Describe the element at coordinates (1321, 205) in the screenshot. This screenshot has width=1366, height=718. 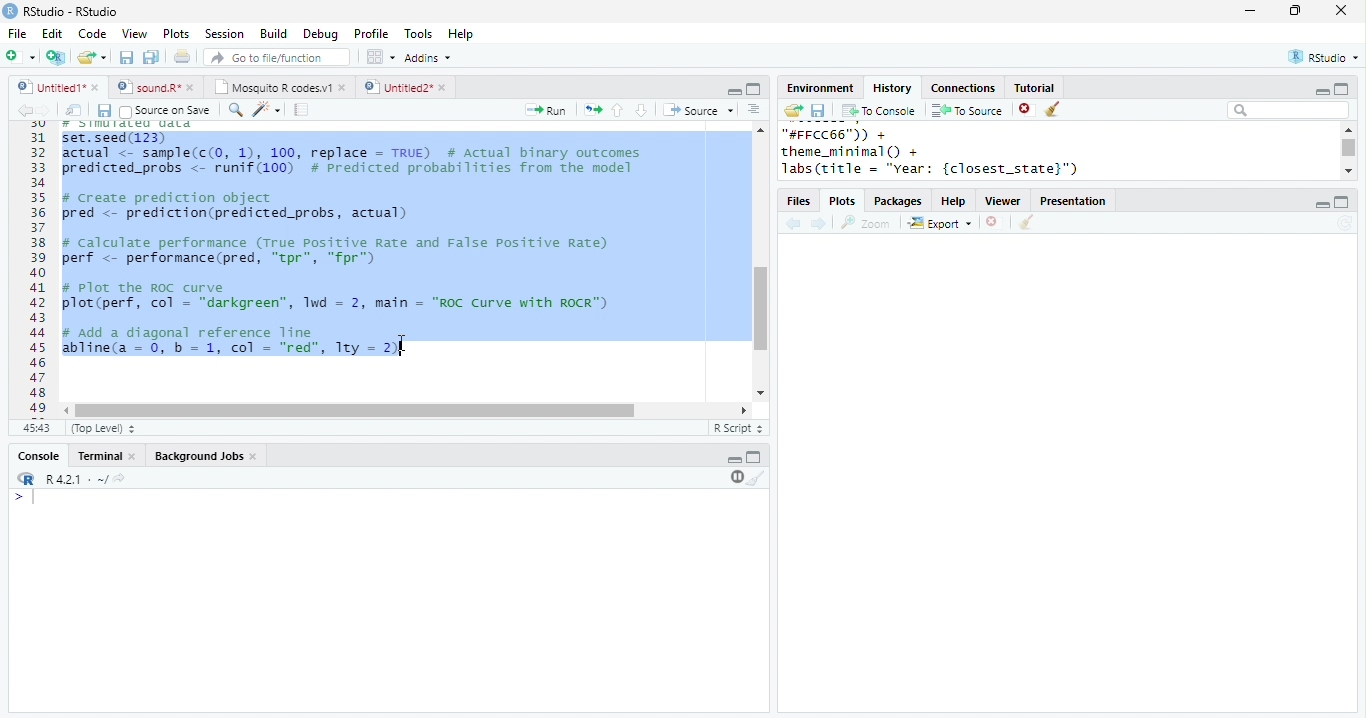
I see `minimize` at that location.